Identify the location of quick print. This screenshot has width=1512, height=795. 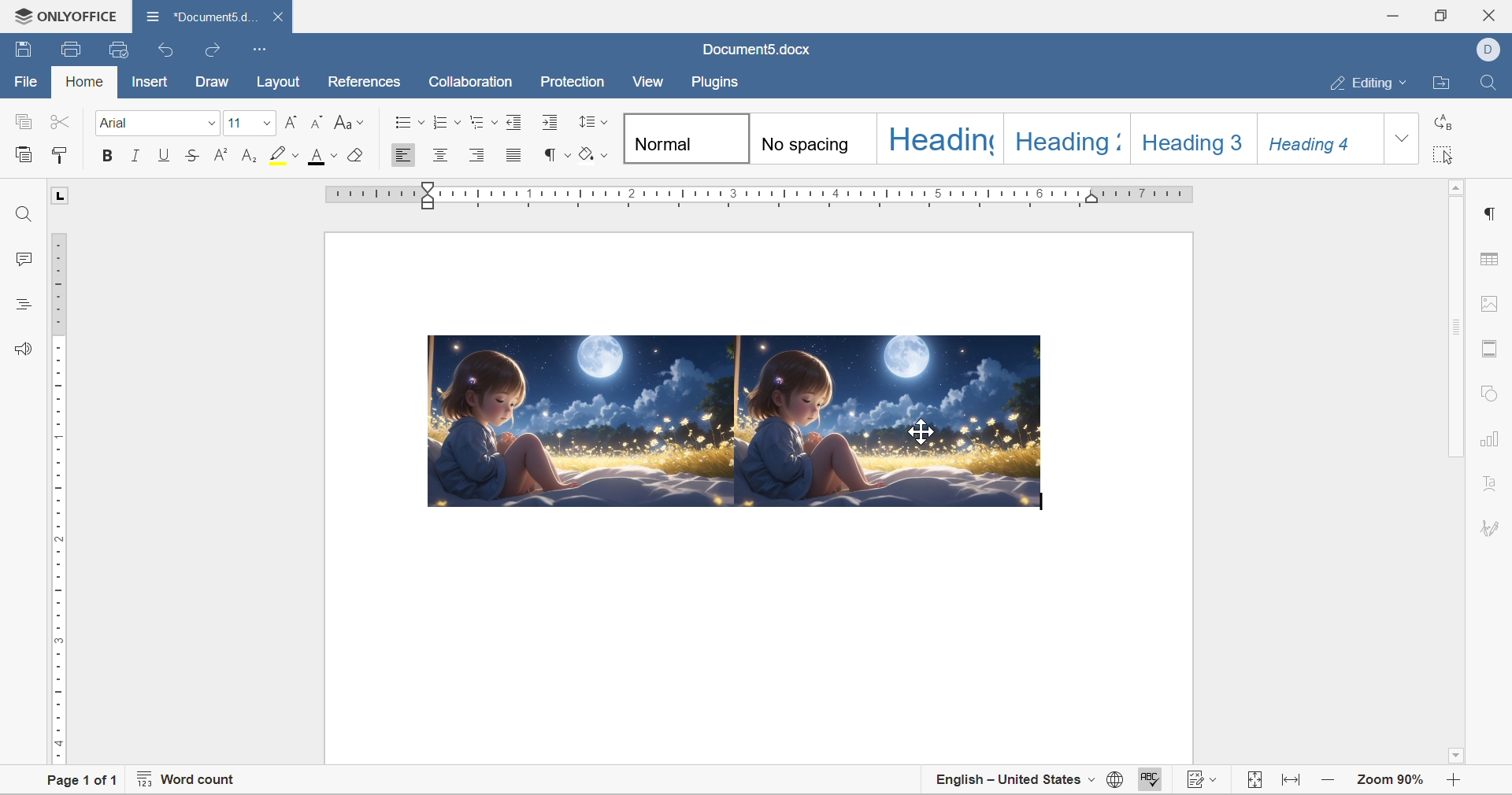
(122, 48).